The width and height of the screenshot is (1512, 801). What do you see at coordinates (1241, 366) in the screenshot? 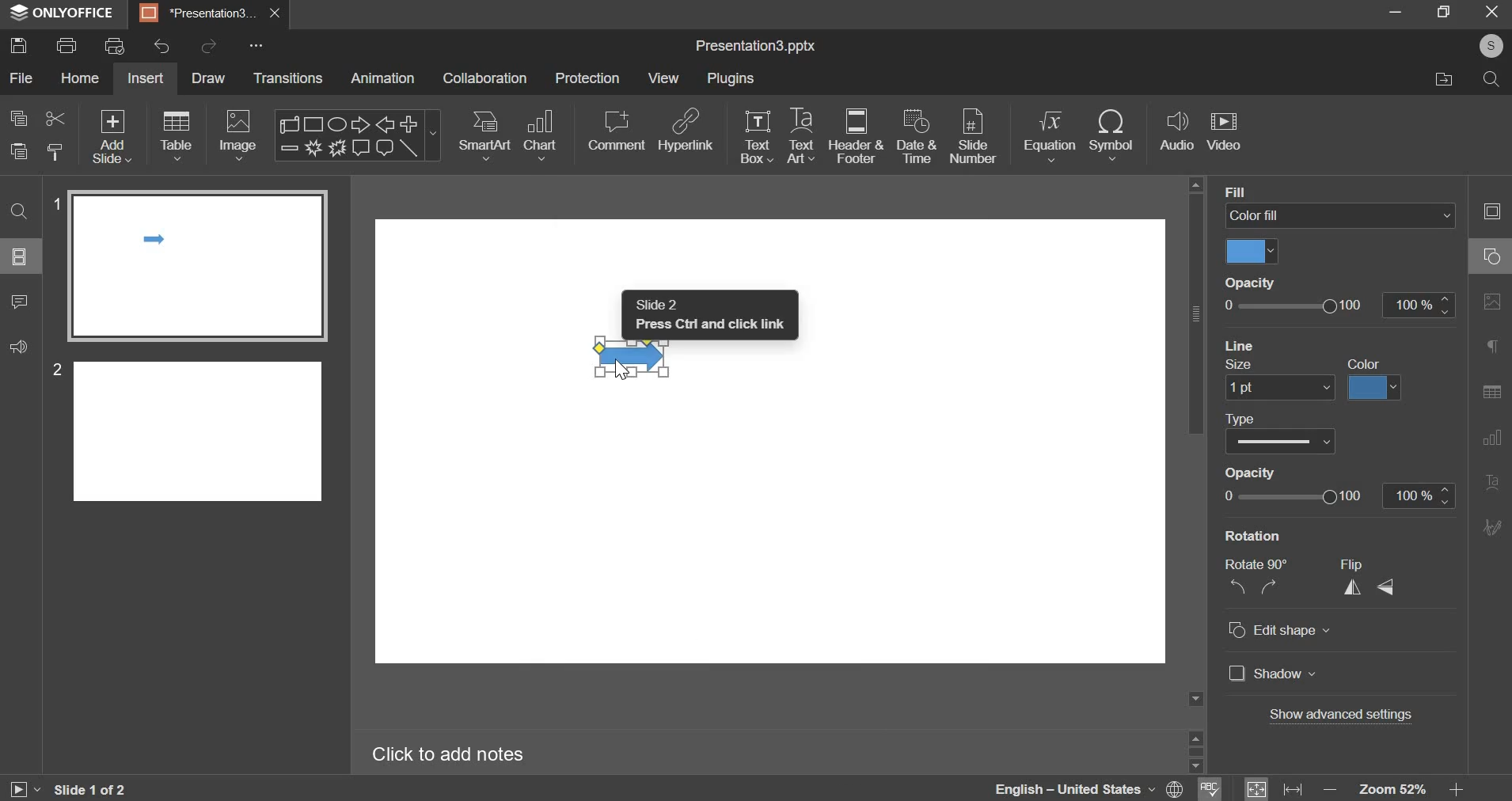
I see `size` at bounding box center [1241, 366].